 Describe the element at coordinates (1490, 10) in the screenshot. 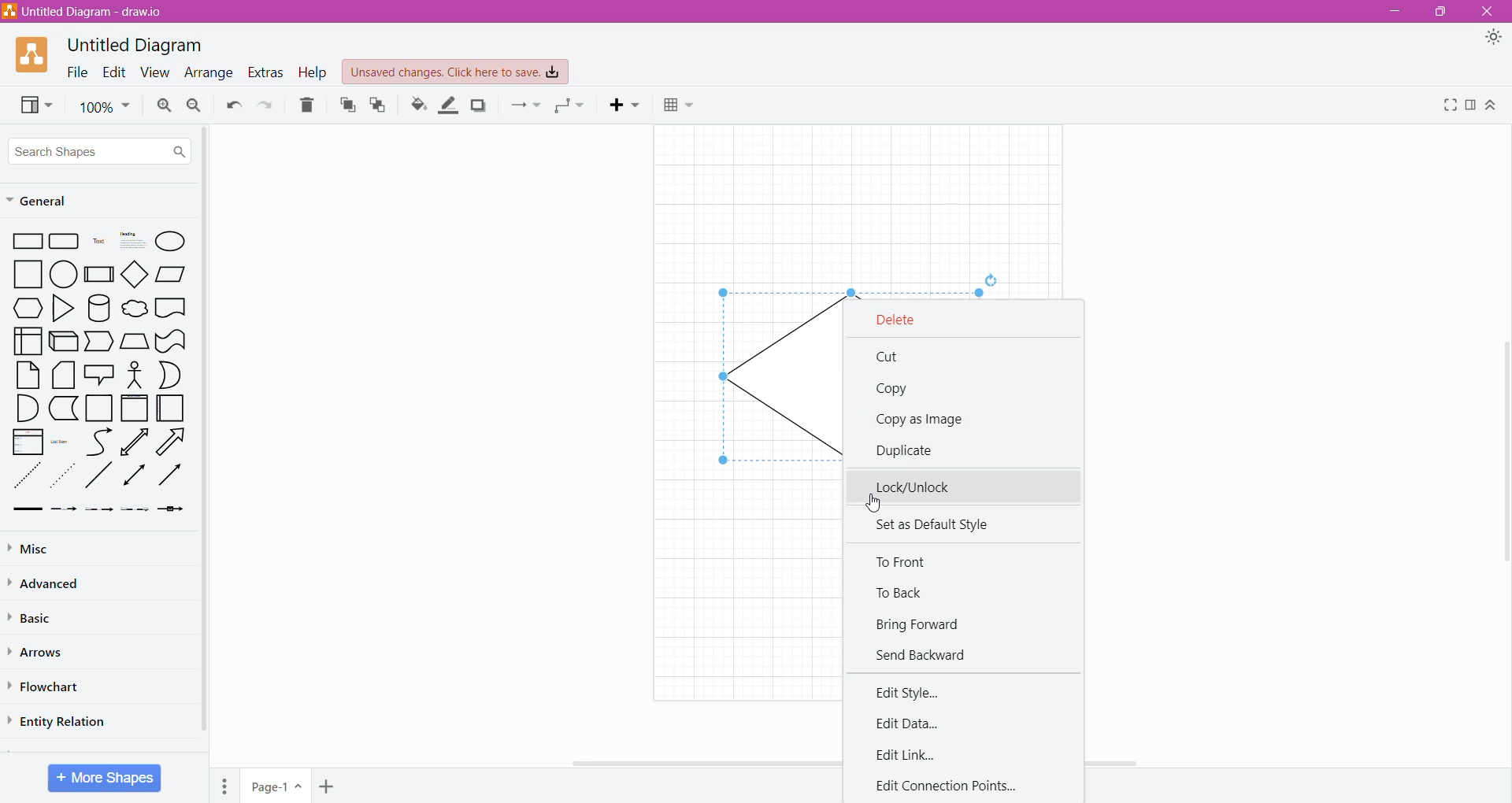

I see `Close` at that location.